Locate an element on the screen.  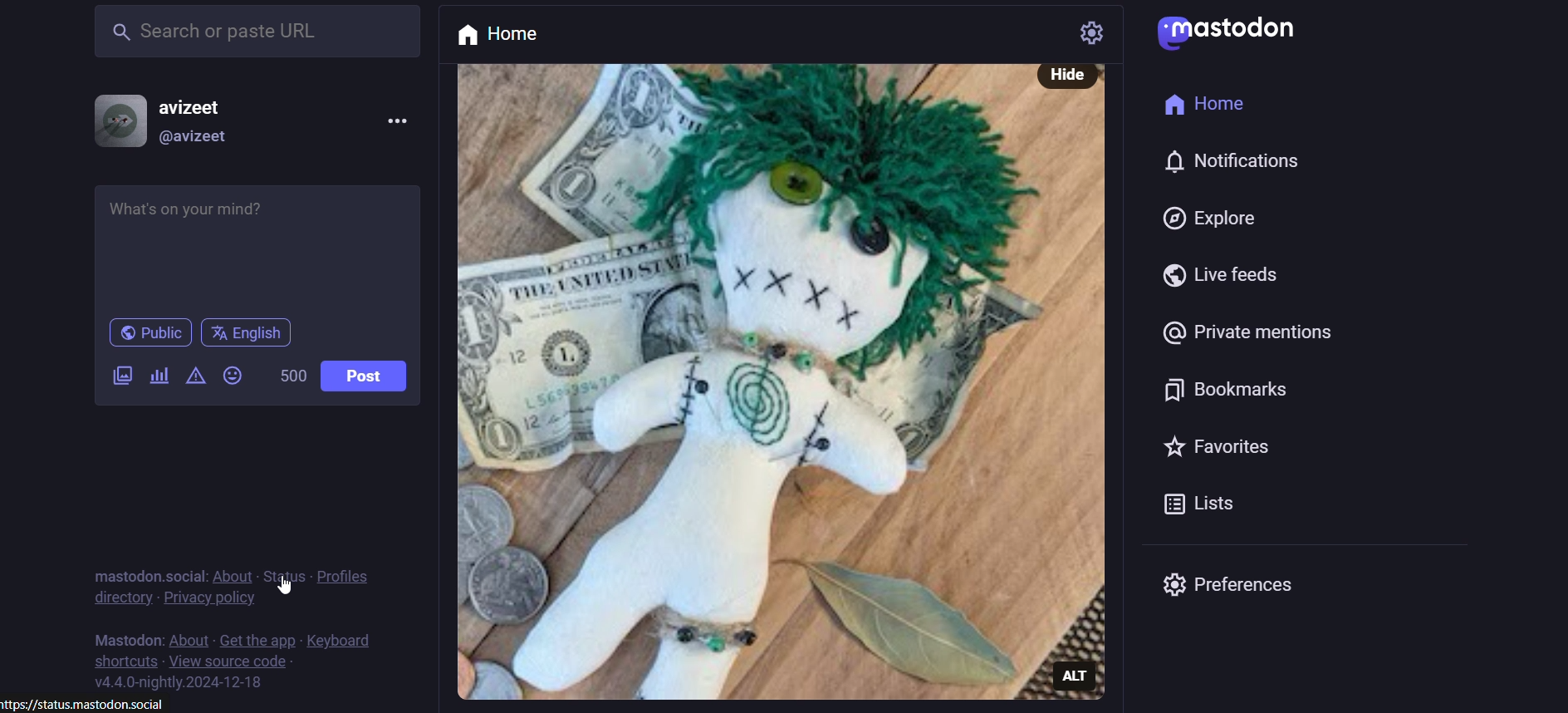
cursor is located at coordinates (286, 586).